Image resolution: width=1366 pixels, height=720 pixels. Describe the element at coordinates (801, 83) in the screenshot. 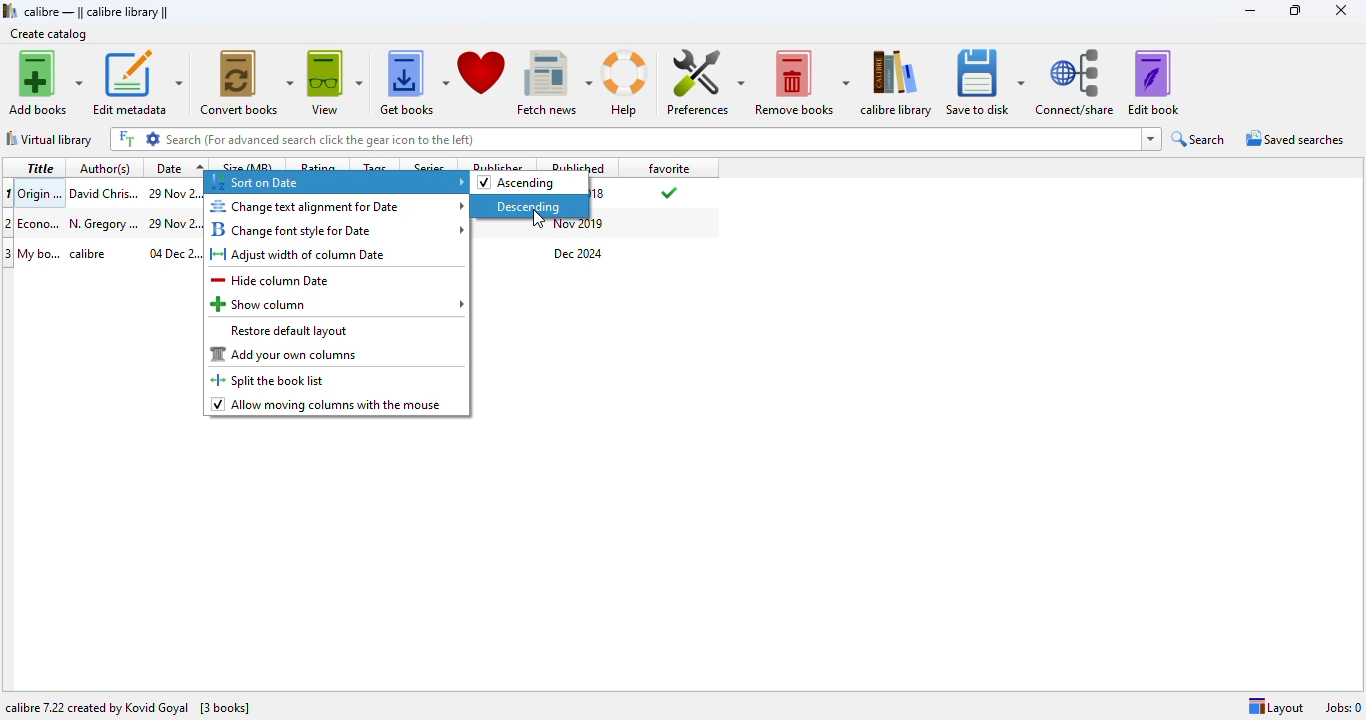

I see `remove books` at that location.